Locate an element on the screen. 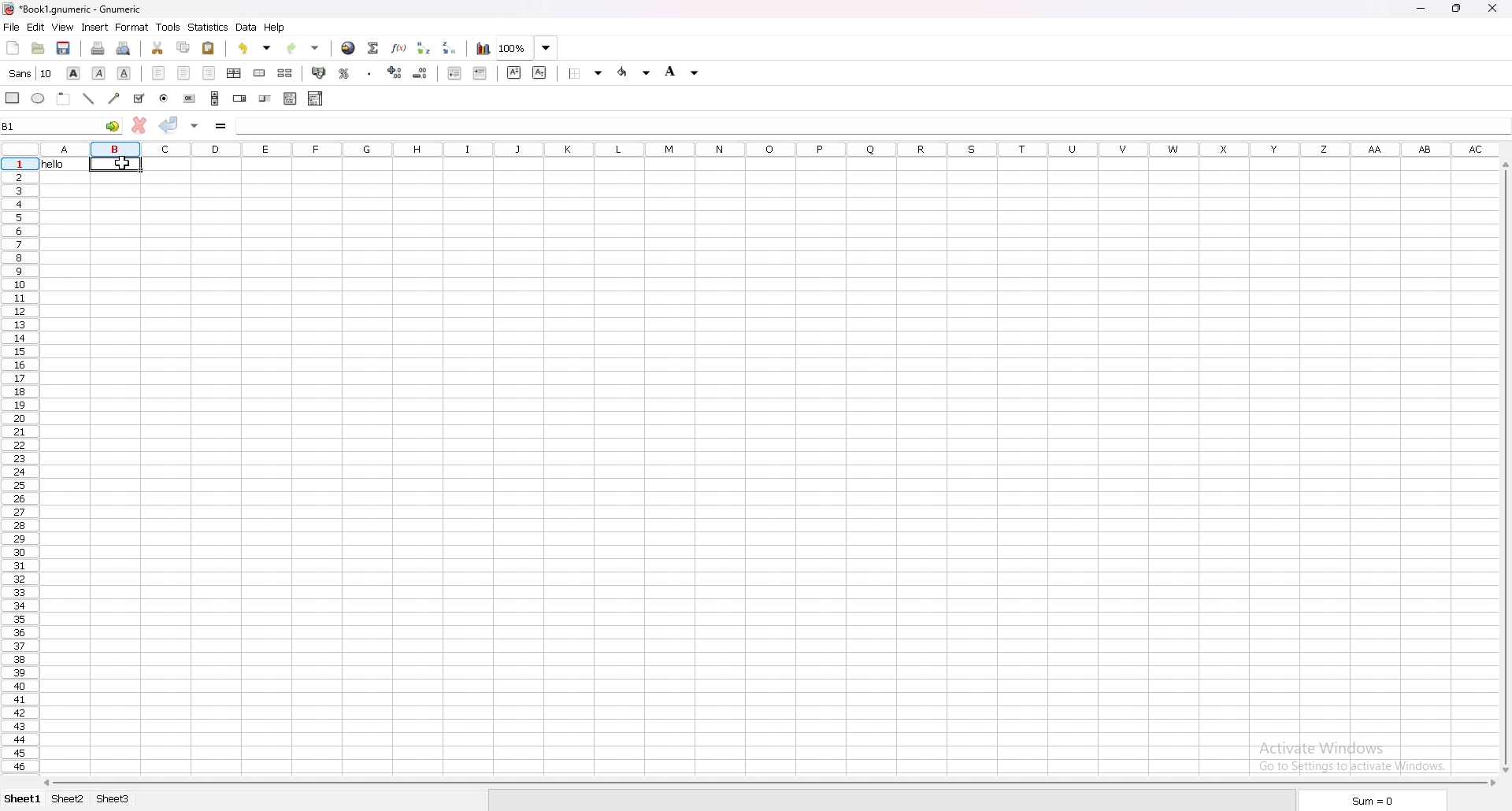 The height and width of the screenshot is (811, 1512). cursor is located at coordinates (120, 164).